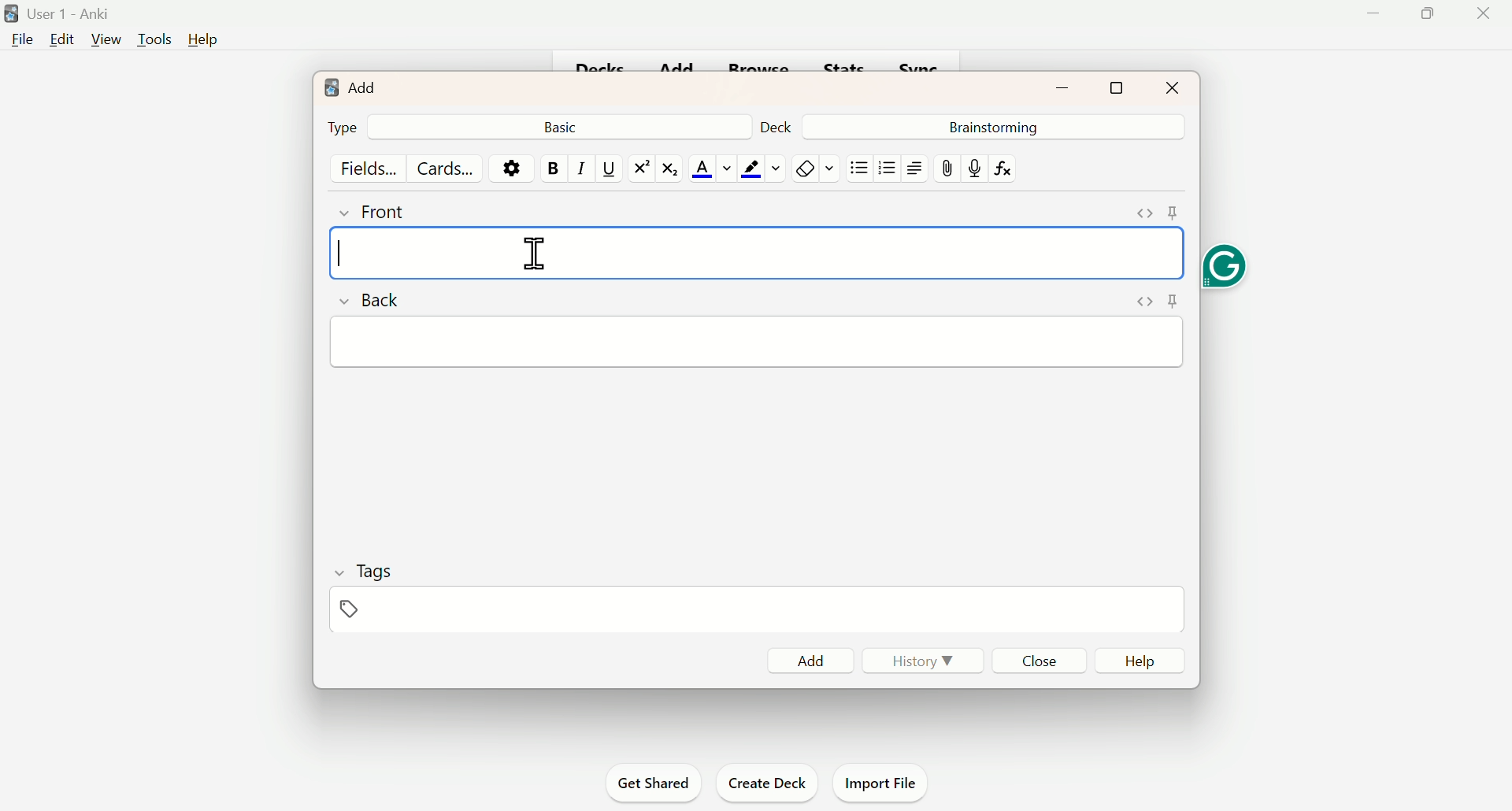 The height and width of the screenshot is (811, 1512). I want to click on , so click(563, 126).